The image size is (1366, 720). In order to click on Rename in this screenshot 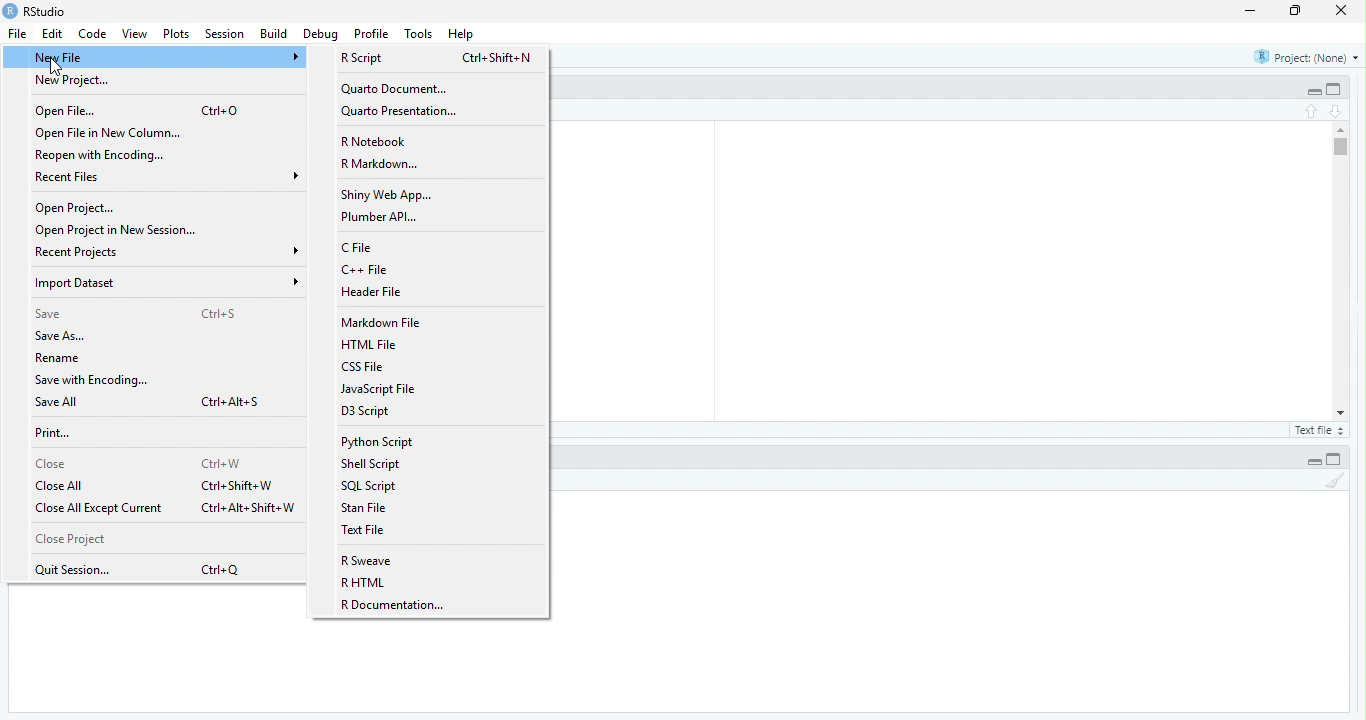, I will do `click(60, 358)`.